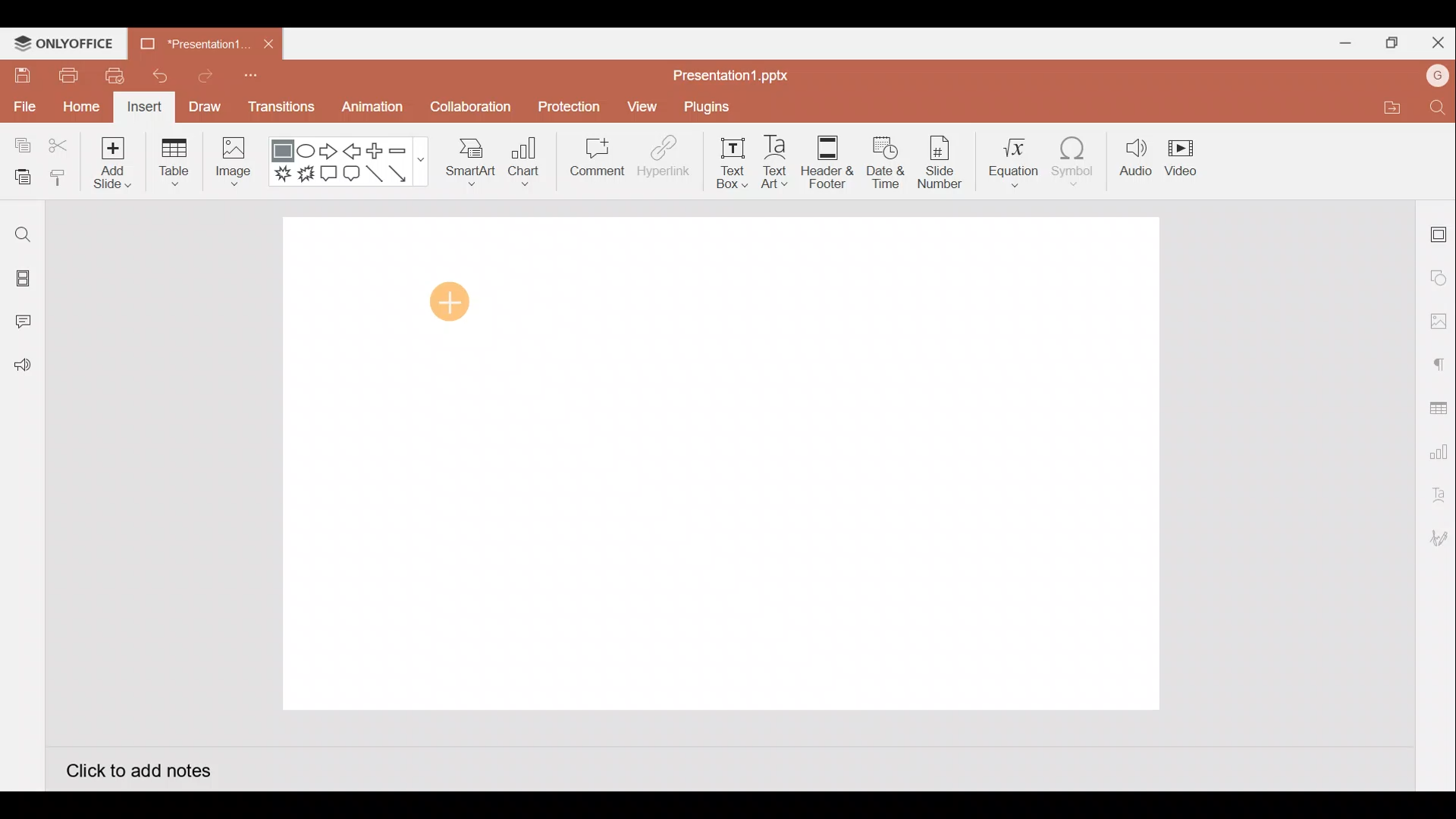  Describe the element at coordinates (1015, 157) in the screenshot. I see `Equation` at that location.